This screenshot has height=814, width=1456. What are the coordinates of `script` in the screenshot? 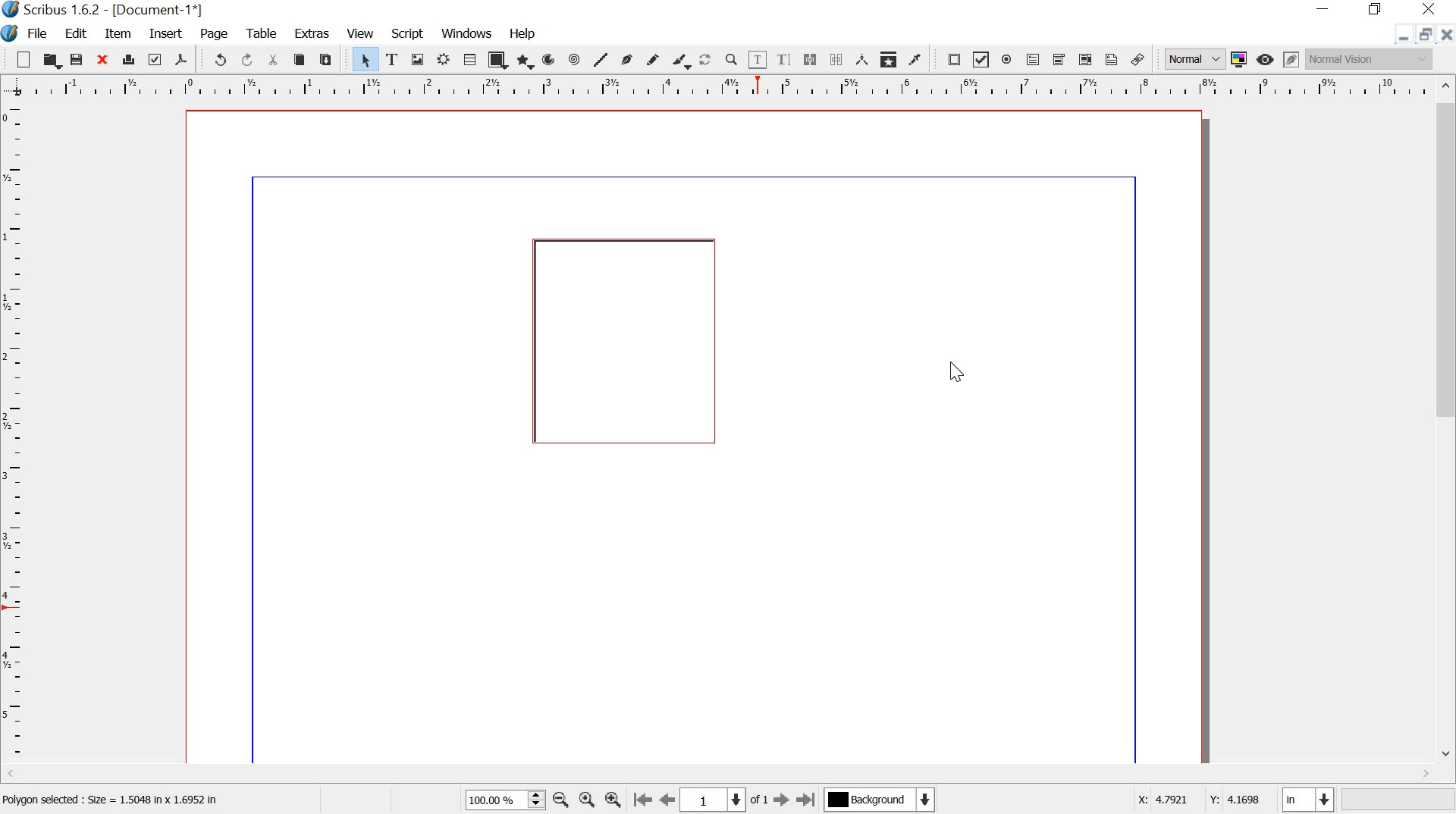 It's located at (406, 33).